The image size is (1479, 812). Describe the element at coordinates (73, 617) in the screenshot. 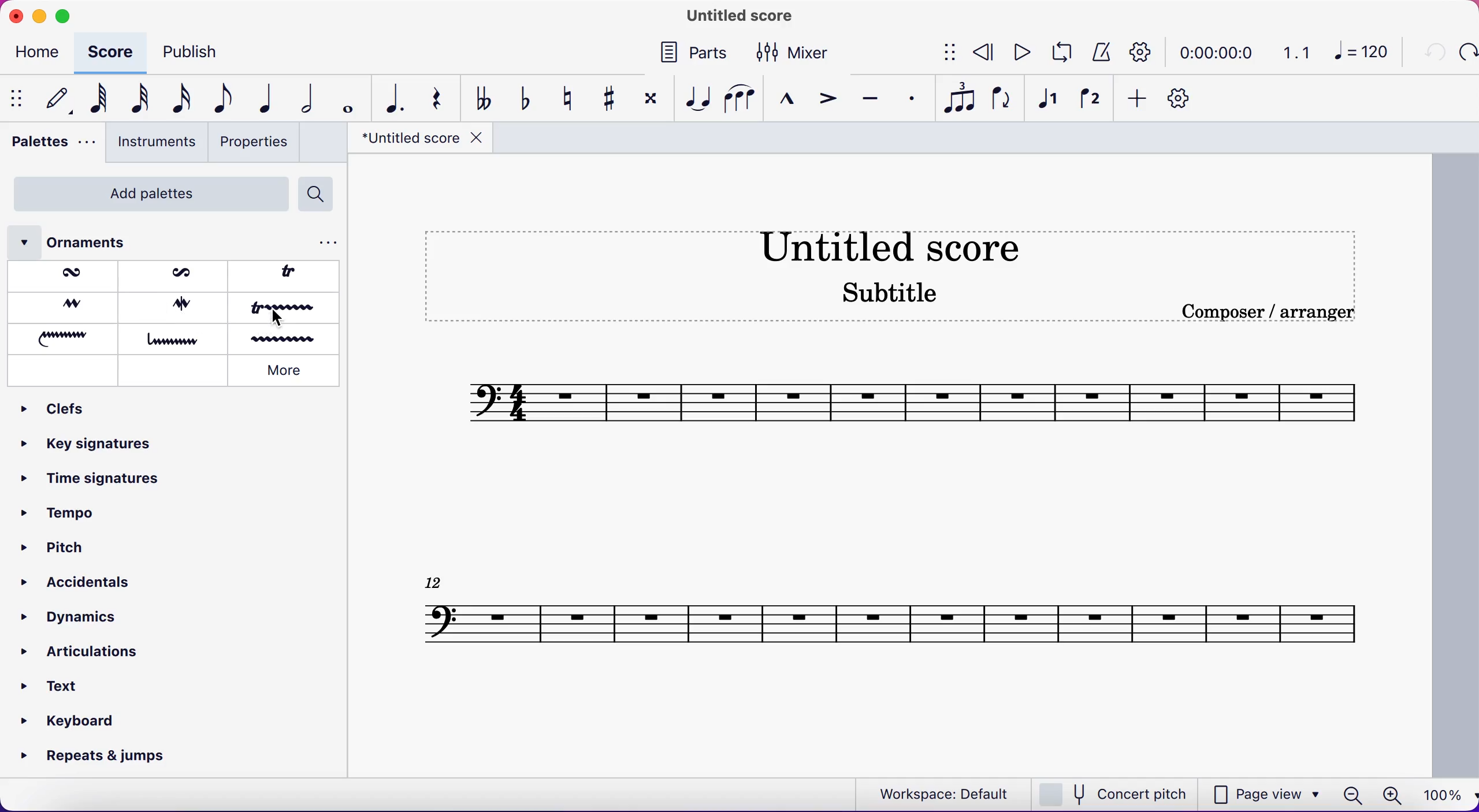

I see `dynamics` at that location.